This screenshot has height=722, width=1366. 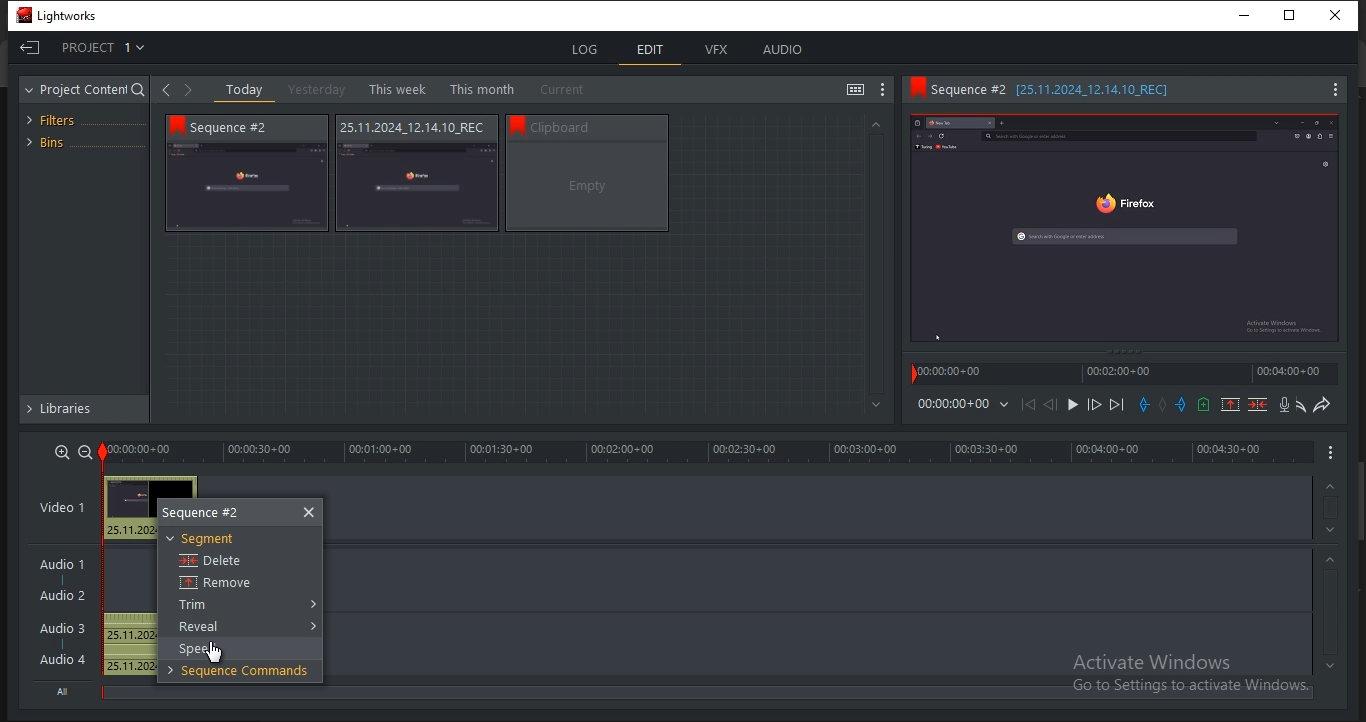 What do you see at coordinates (249, 186) in the screenshot?
I see `video thumbnail` at bounding box center [249, 186].